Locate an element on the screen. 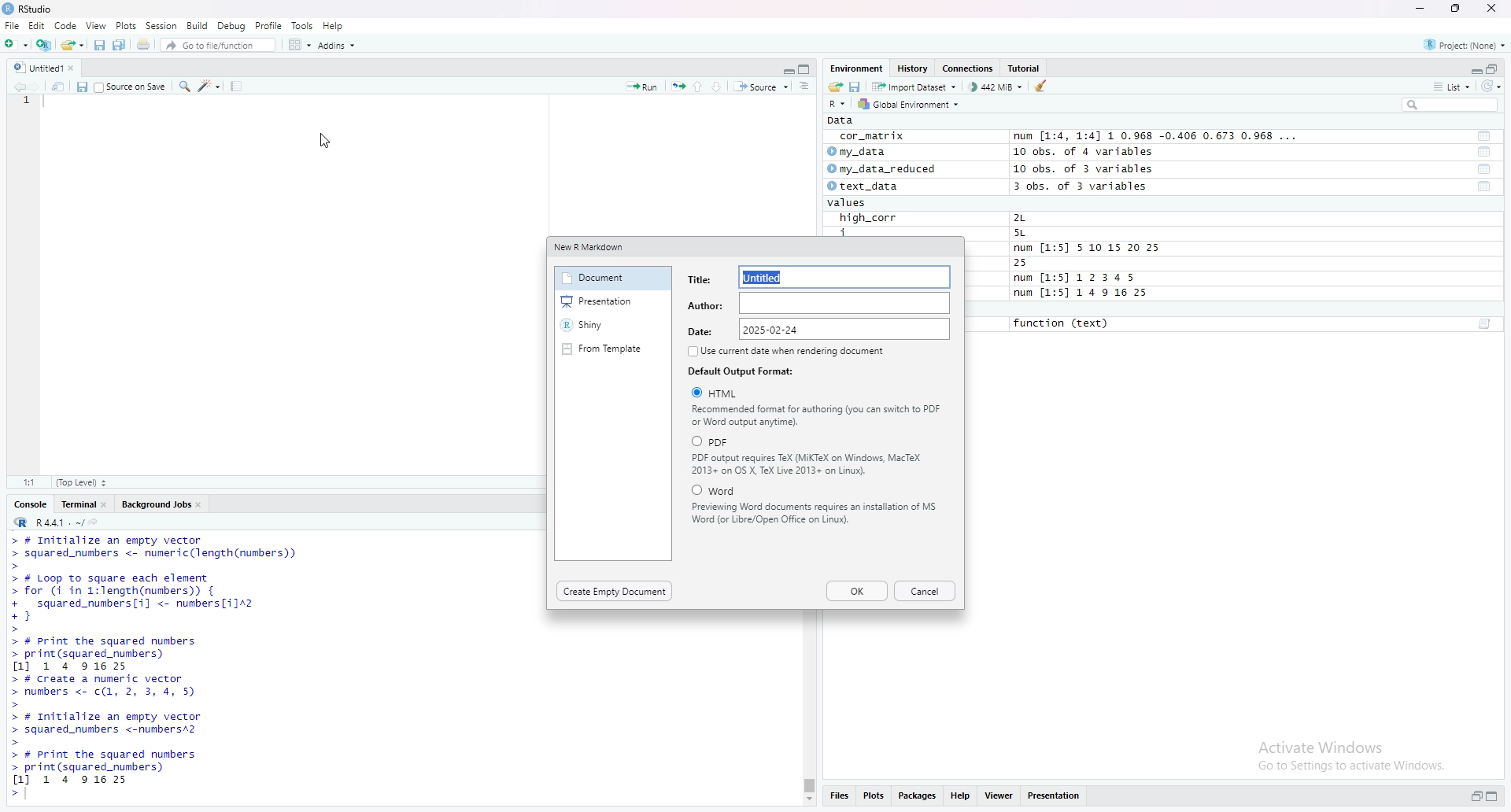 This screenshot has height=812, width=1511. File is located at coordinates (10, 25).